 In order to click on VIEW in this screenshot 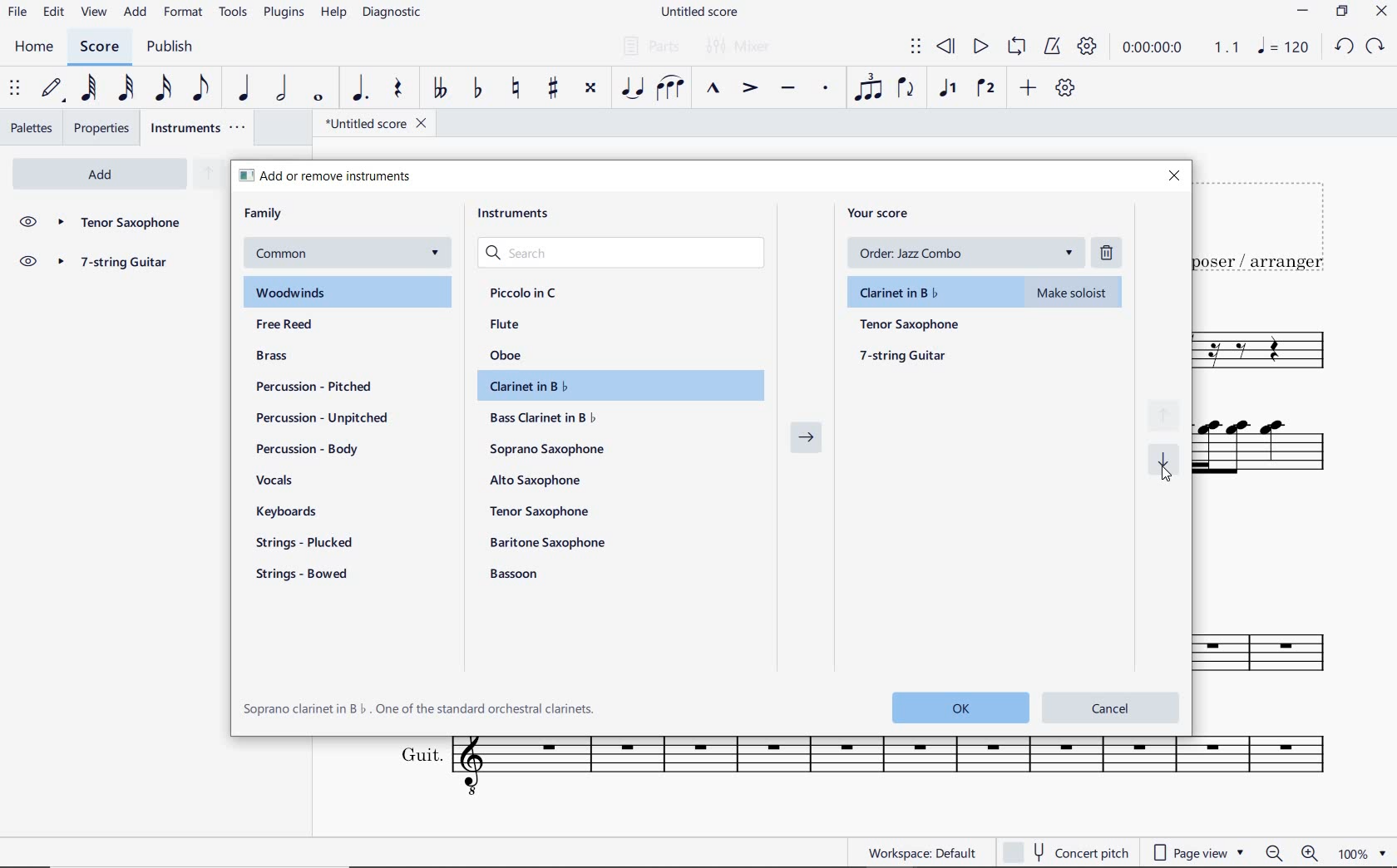, I will do `click(96, 13)`.